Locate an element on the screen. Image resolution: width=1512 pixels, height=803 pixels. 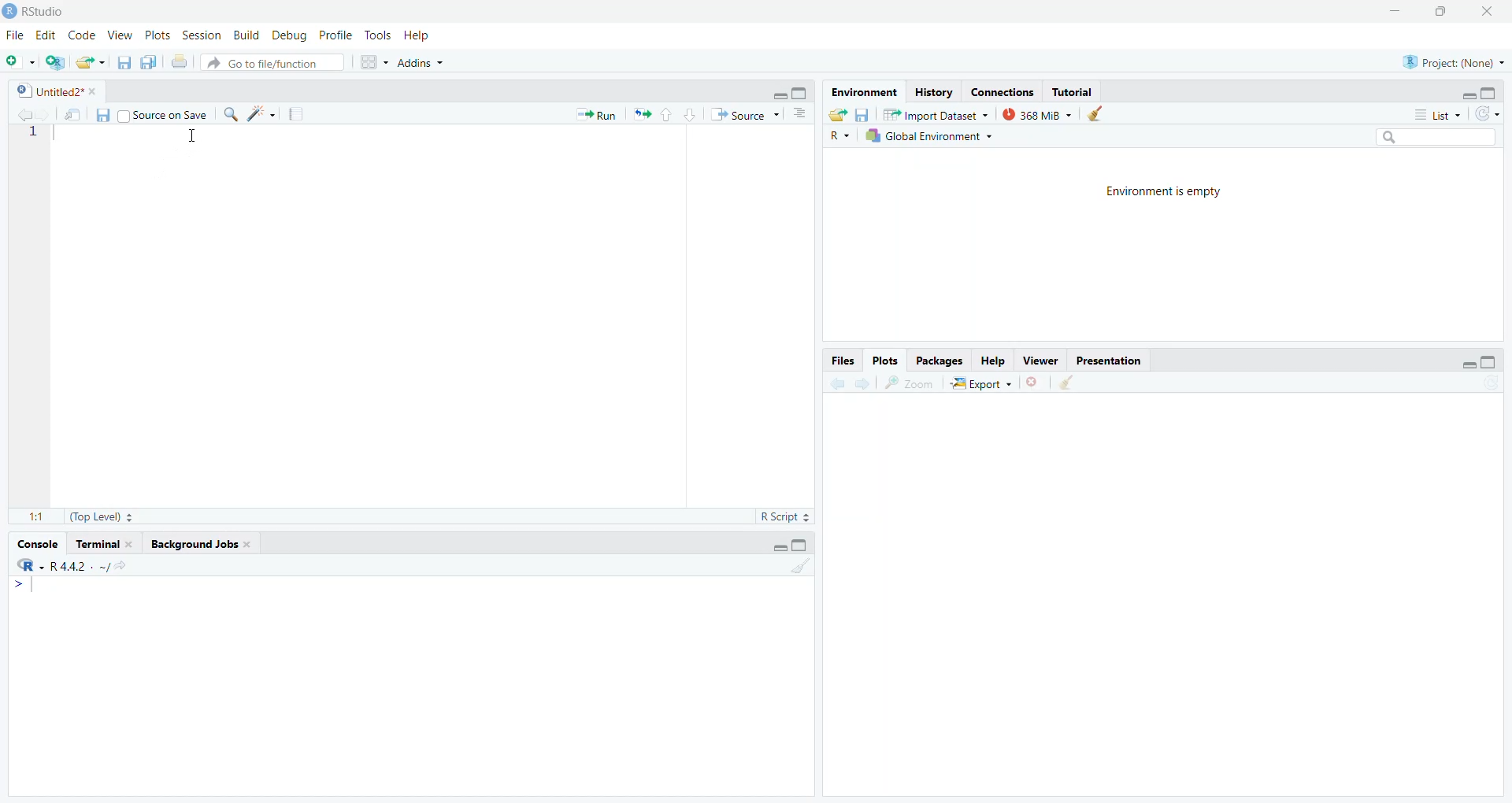
files is located at coordinates (122, 65).